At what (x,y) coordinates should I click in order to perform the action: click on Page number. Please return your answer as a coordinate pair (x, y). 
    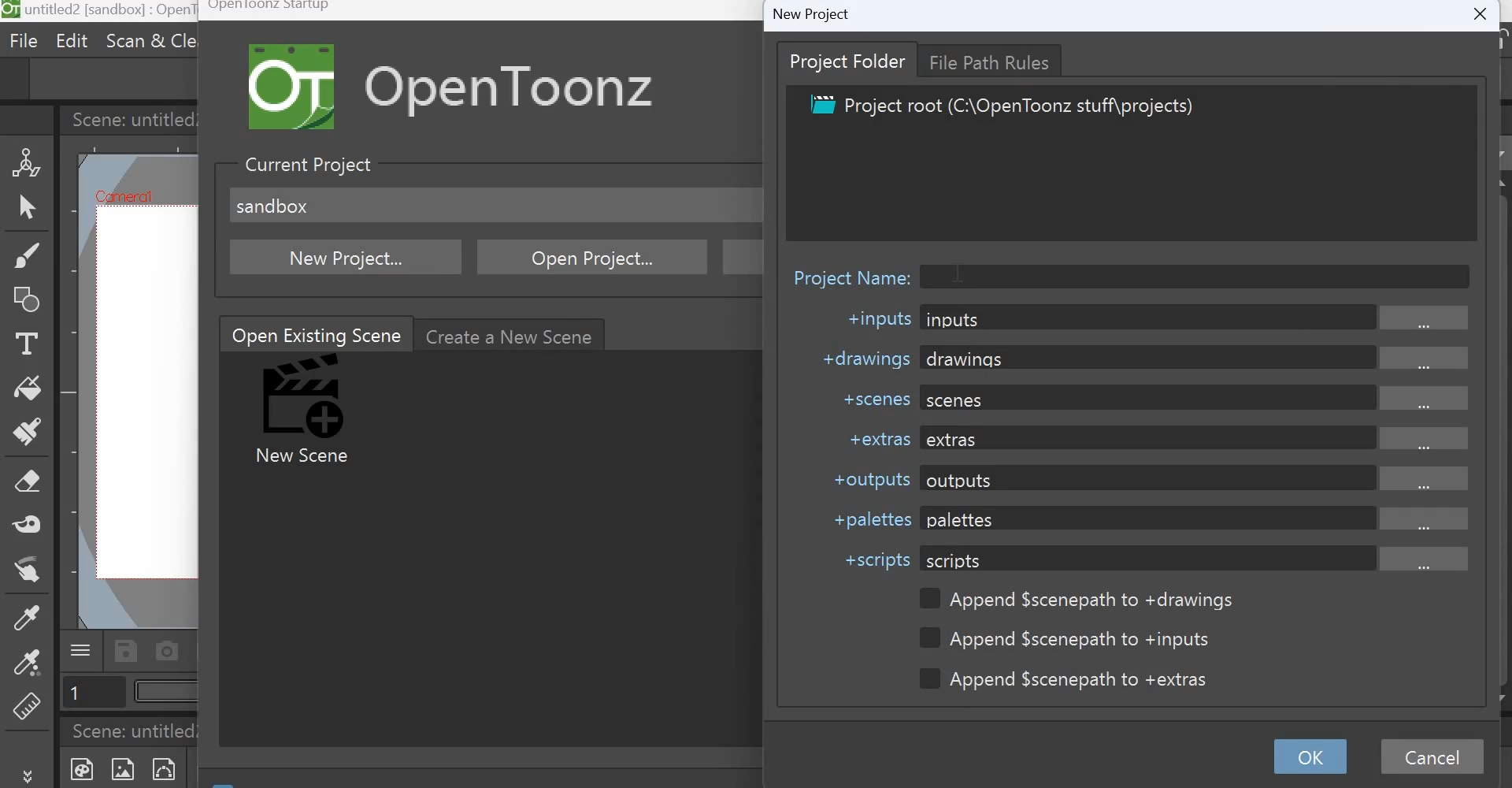
    Looking at the image, I should click on (93, 694).